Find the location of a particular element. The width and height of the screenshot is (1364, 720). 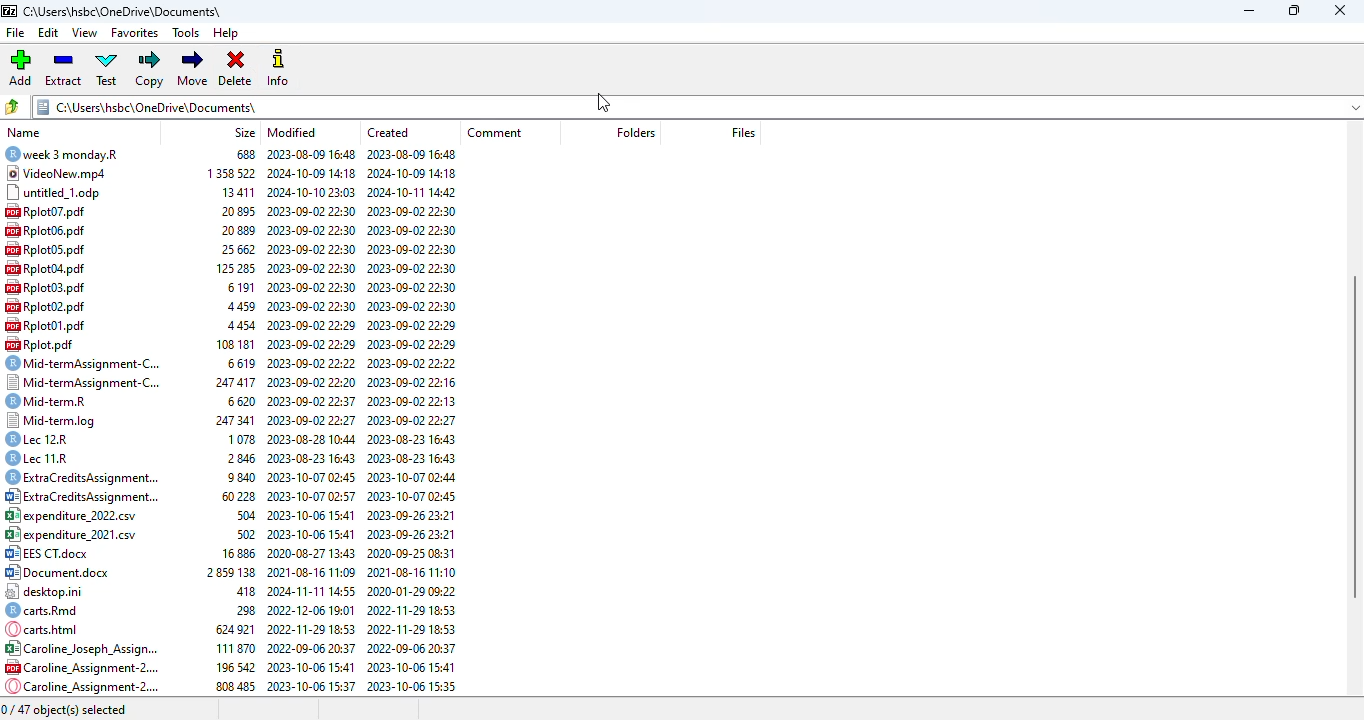

2023-10-07 02:45 is located at coordinates (312, 477).